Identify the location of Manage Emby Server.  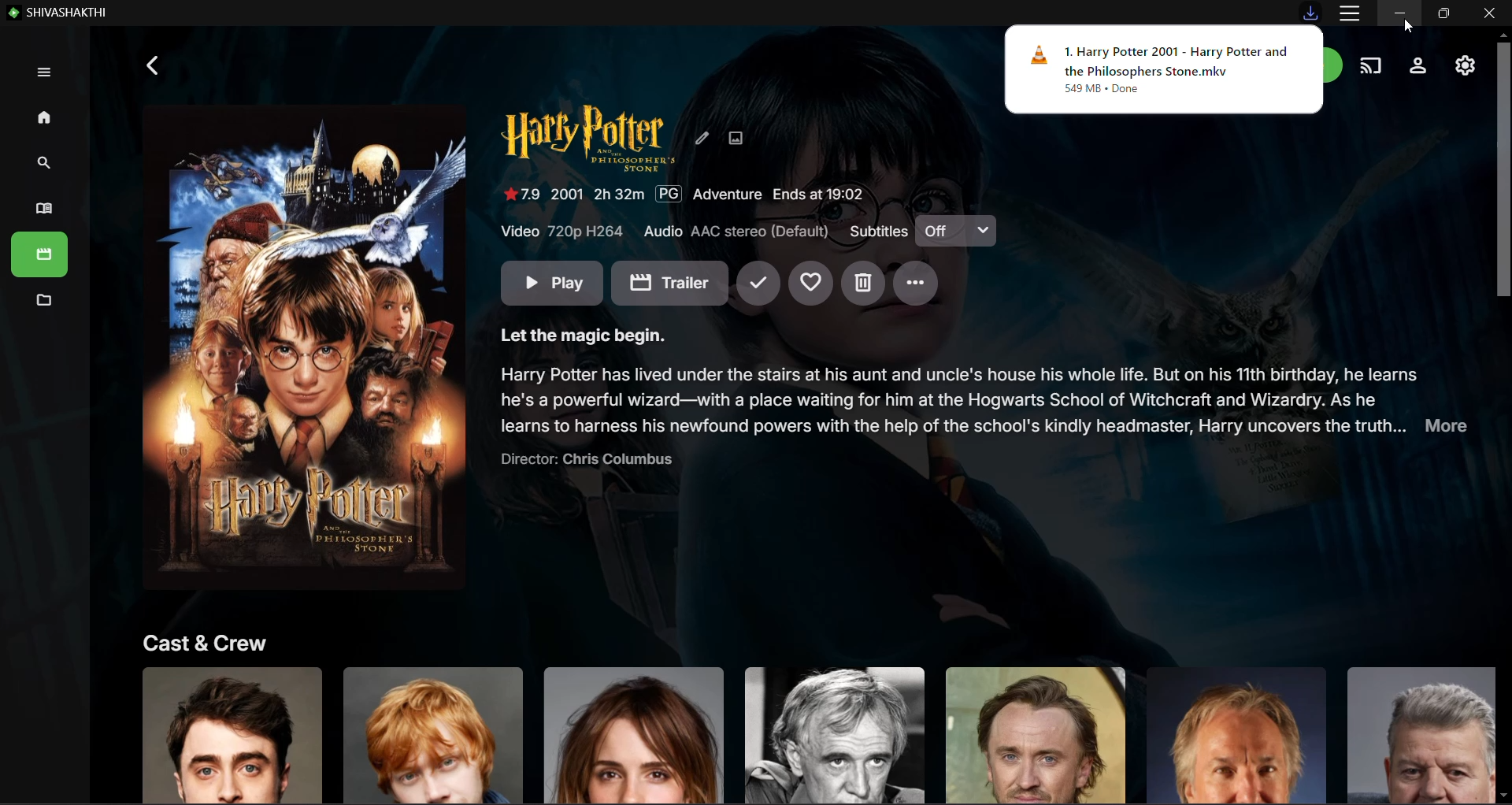
(1464, 66).